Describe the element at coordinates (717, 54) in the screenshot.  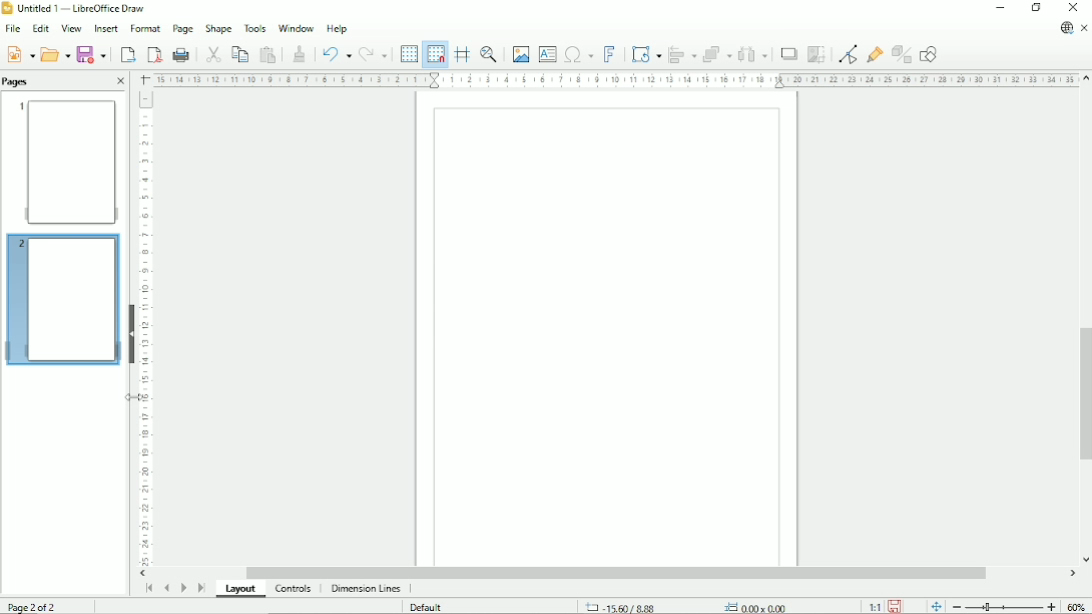
I see `Arrange` at that location.